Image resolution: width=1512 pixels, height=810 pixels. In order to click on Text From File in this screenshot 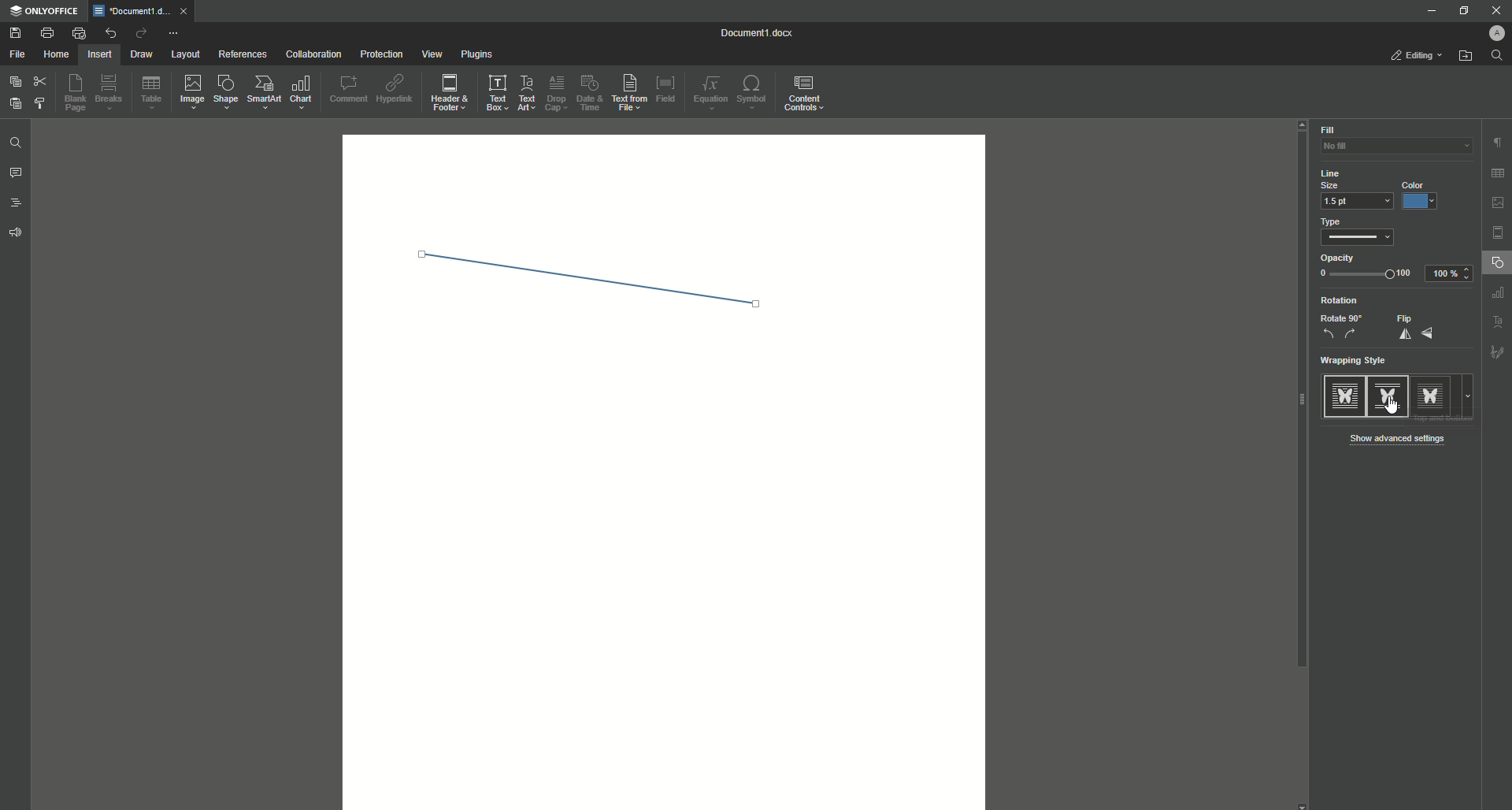, I will do `click(631, 94)`.